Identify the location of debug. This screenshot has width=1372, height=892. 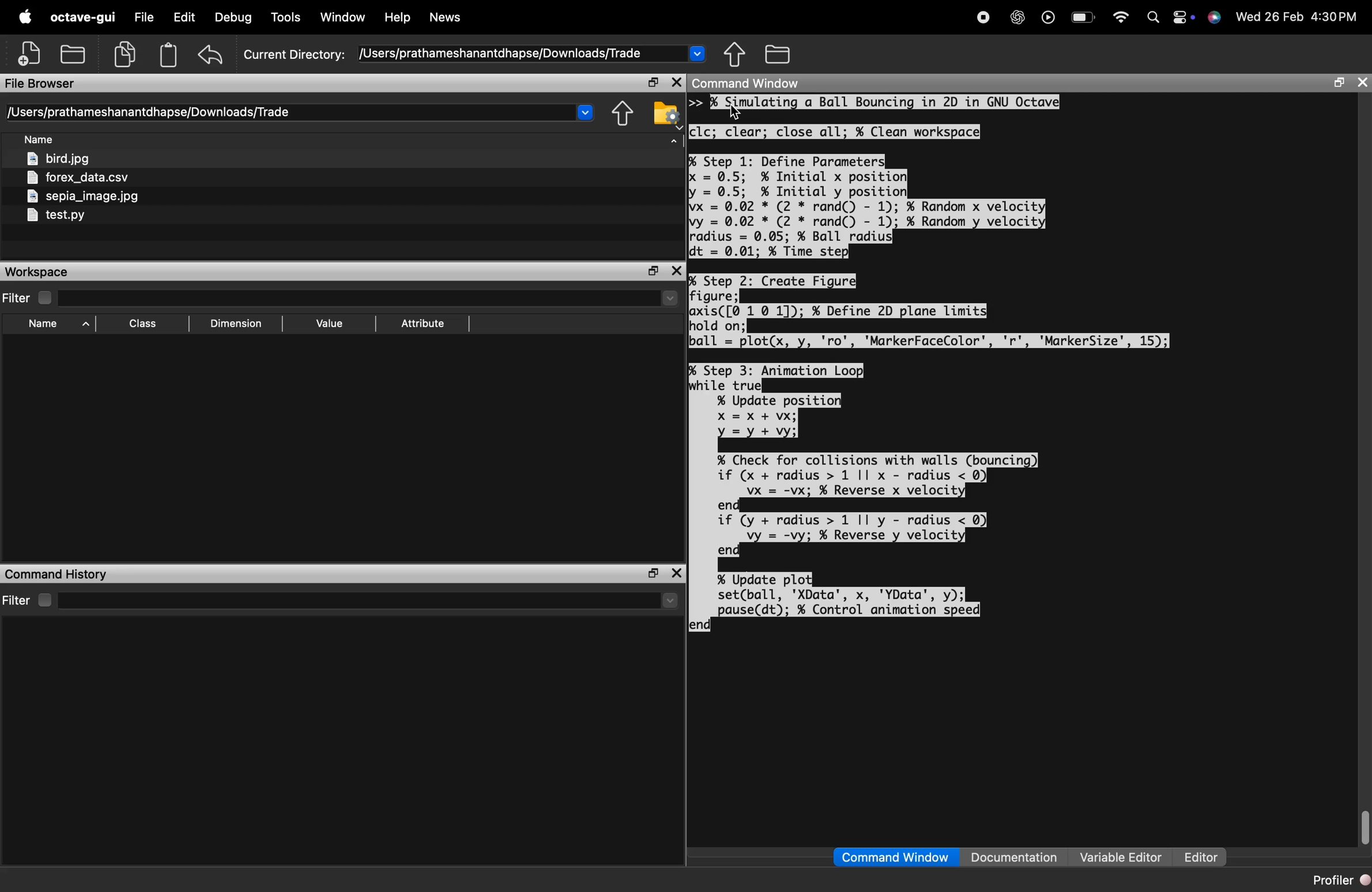
(235, 18).